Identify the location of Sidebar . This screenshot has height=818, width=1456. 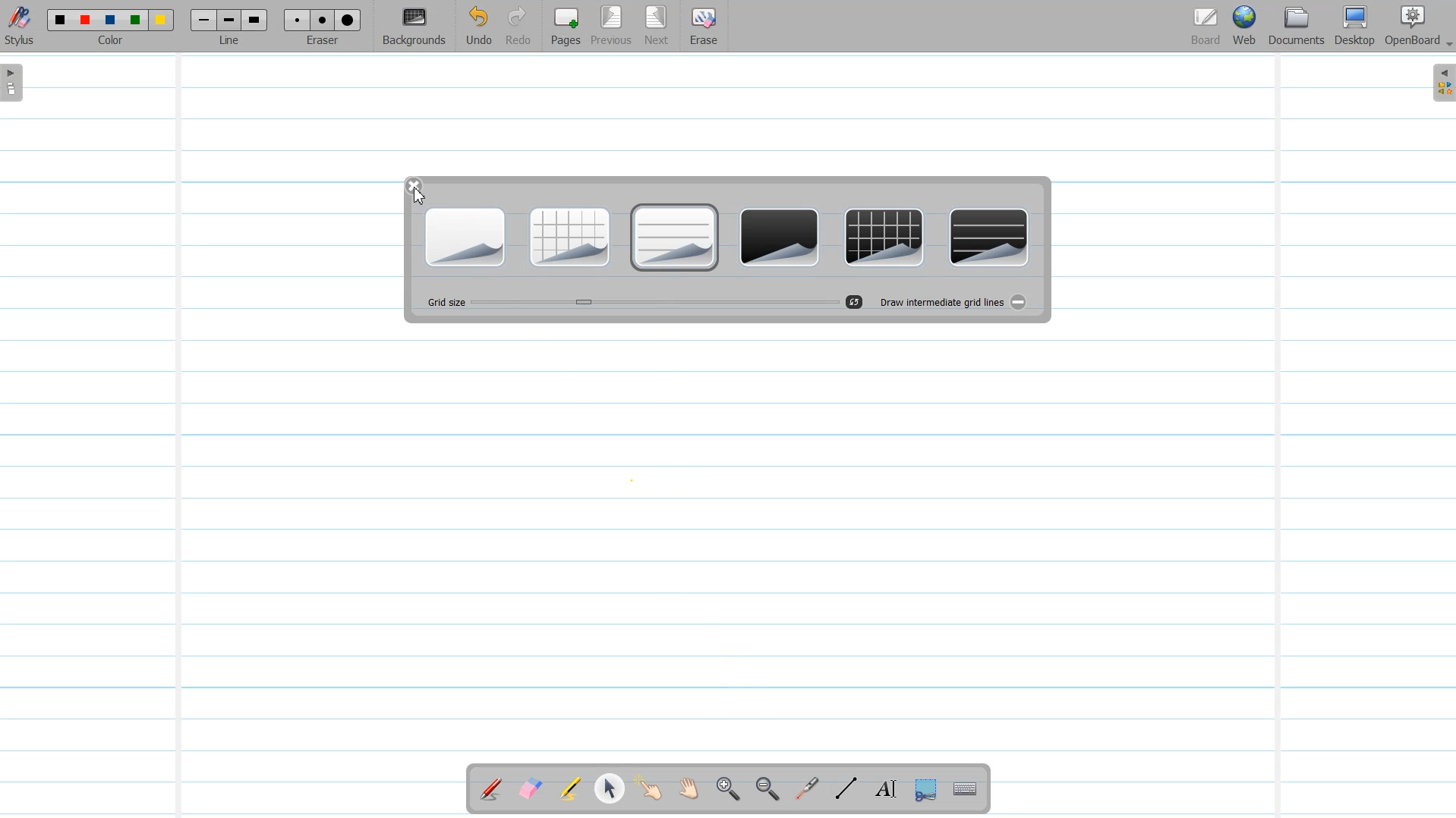
(1441, 83).